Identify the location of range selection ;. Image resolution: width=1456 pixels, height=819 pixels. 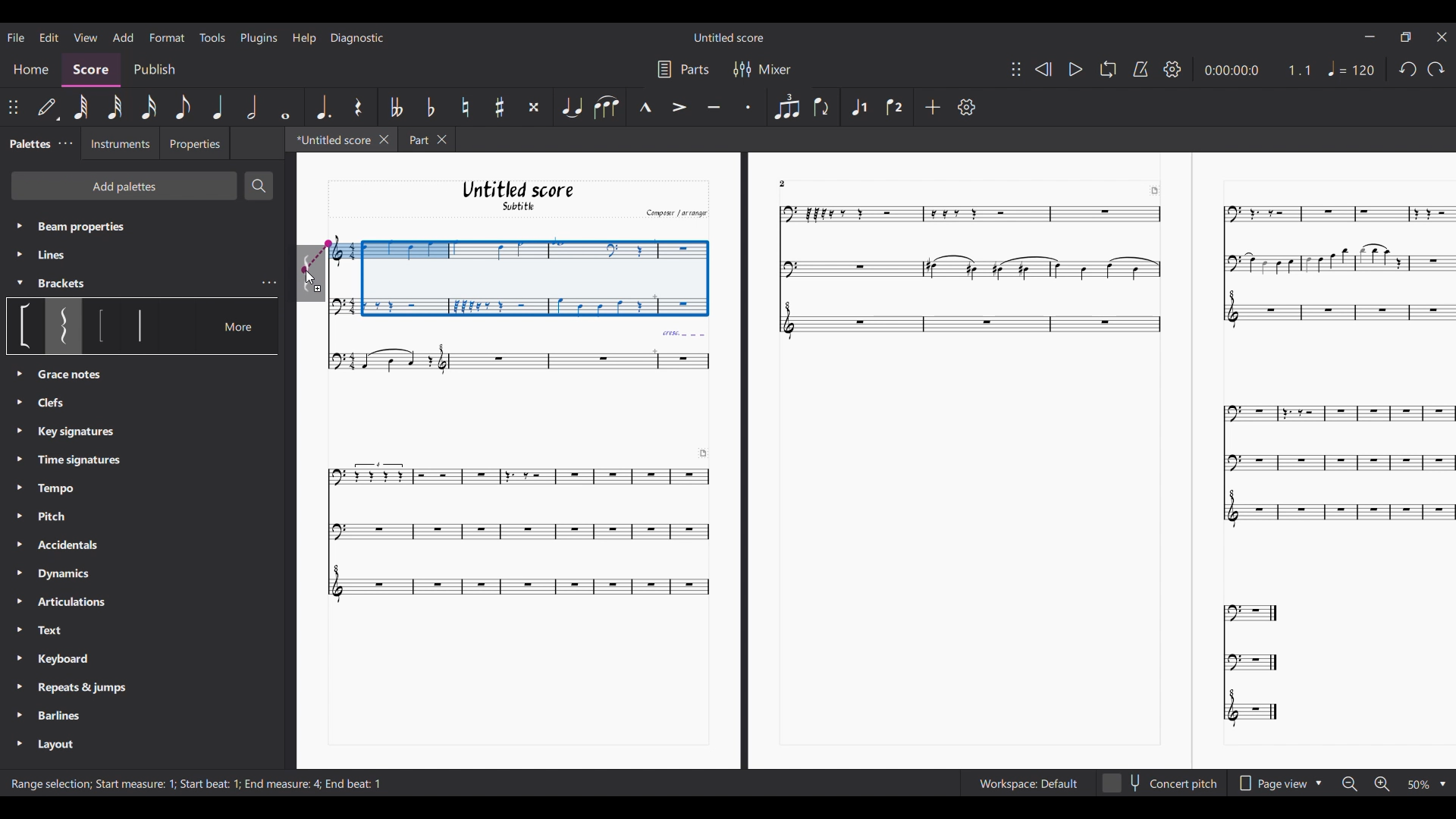
(47, 785).